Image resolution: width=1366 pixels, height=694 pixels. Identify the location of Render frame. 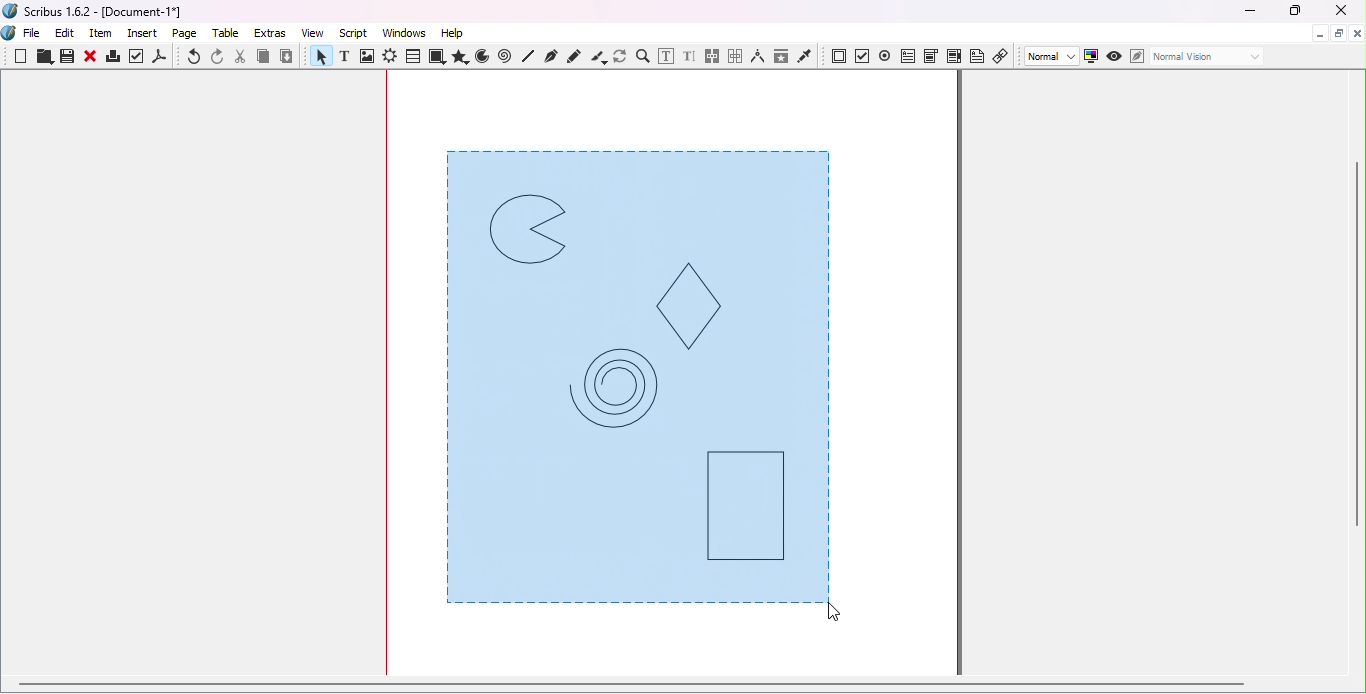
(390, 58).